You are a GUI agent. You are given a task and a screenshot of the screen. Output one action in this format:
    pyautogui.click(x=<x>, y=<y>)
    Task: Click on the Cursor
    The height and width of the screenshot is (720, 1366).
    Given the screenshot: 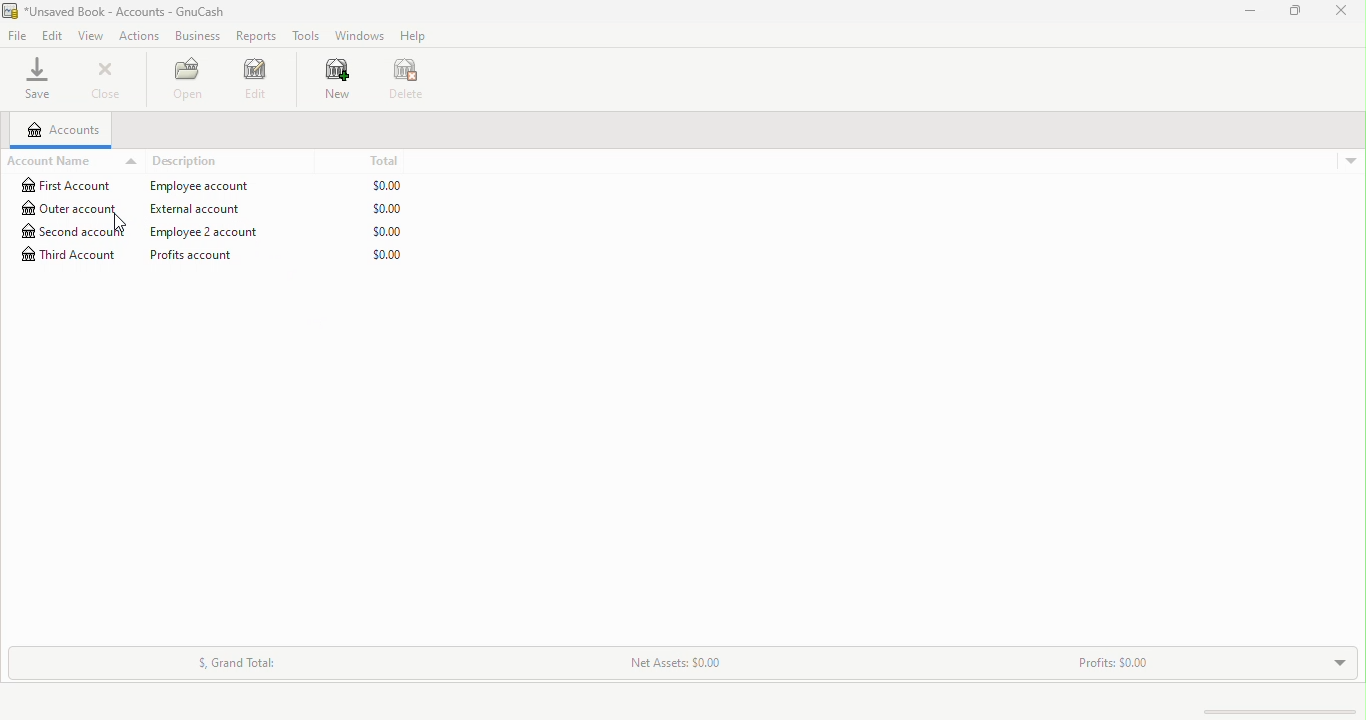 What is the action you would take?
    pyautogui.click(x=120, y=222)
    